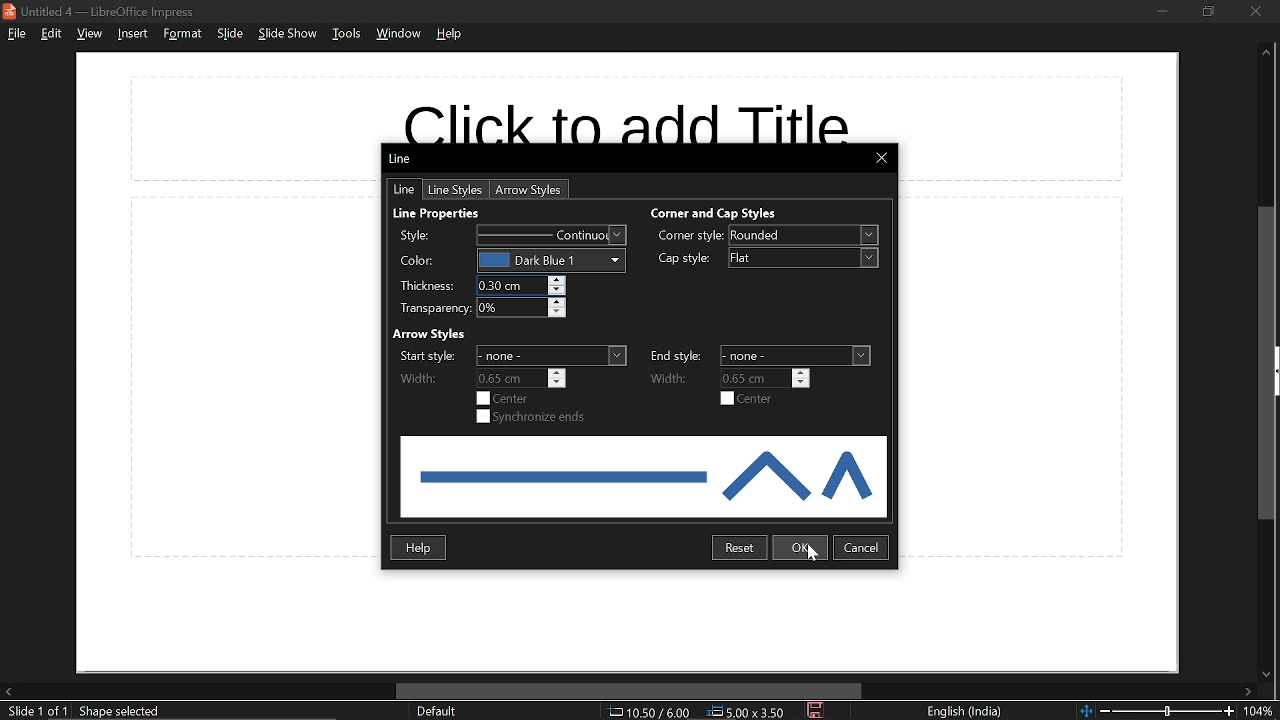 The width and height of the screenshot is (1280, 720). Describe the element at coordinates (747, 712) in the screenshot. I see `position` at that location.